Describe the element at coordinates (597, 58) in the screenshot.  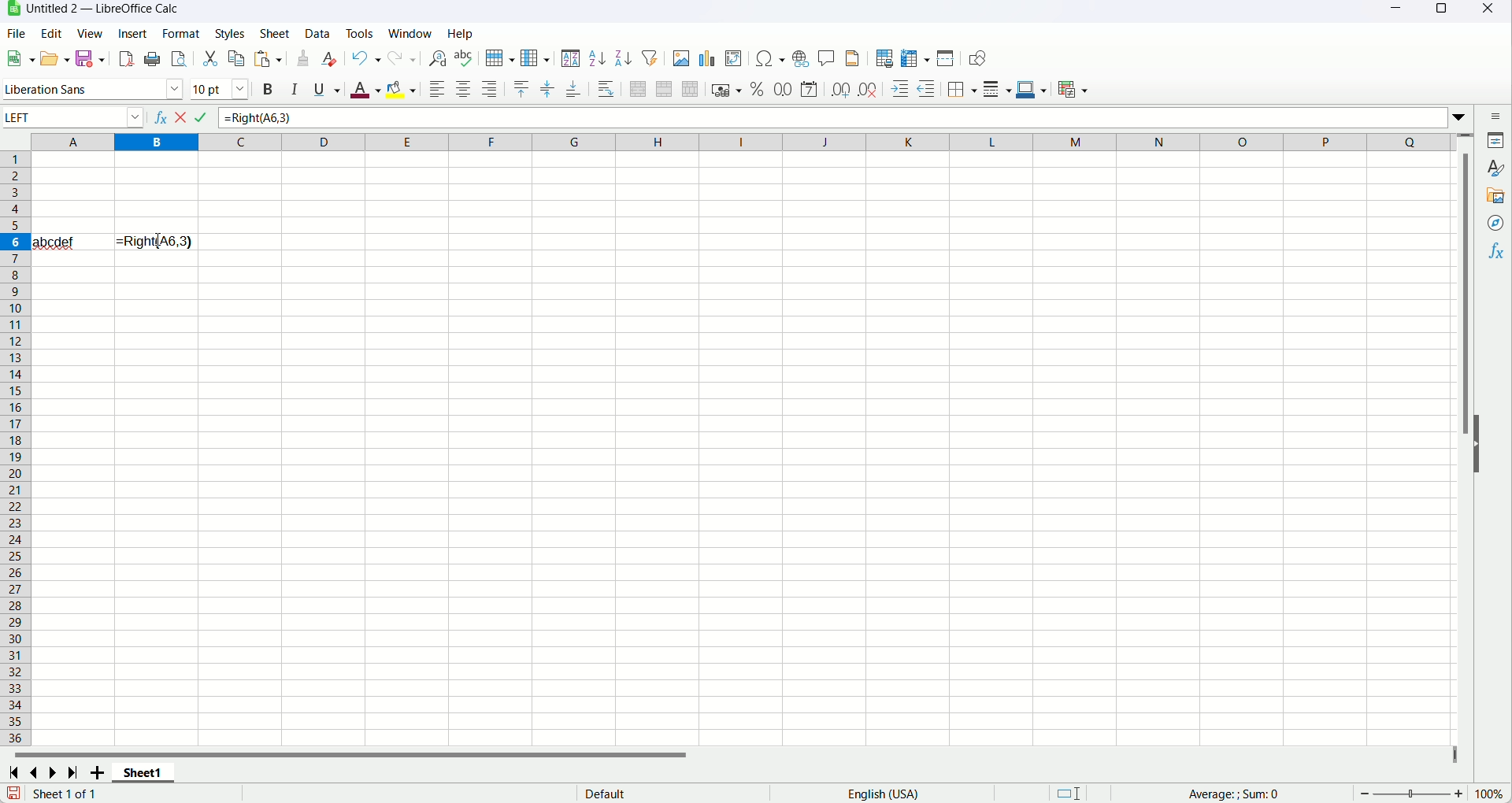
I see `sort ascending` at that location.